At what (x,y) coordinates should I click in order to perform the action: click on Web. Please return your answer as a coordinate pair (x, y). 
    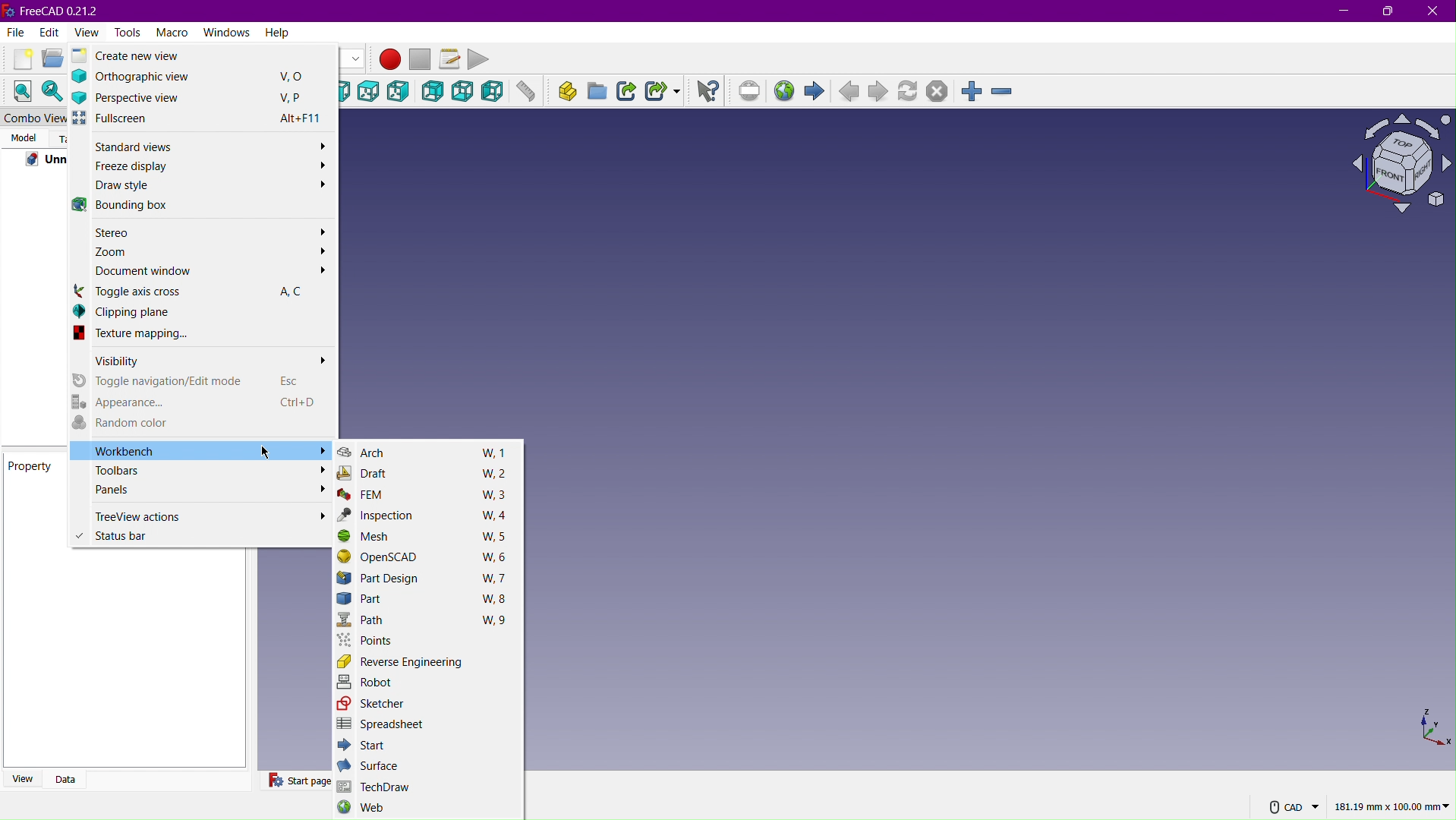
    Looking at the image, I should click on (363, 807).